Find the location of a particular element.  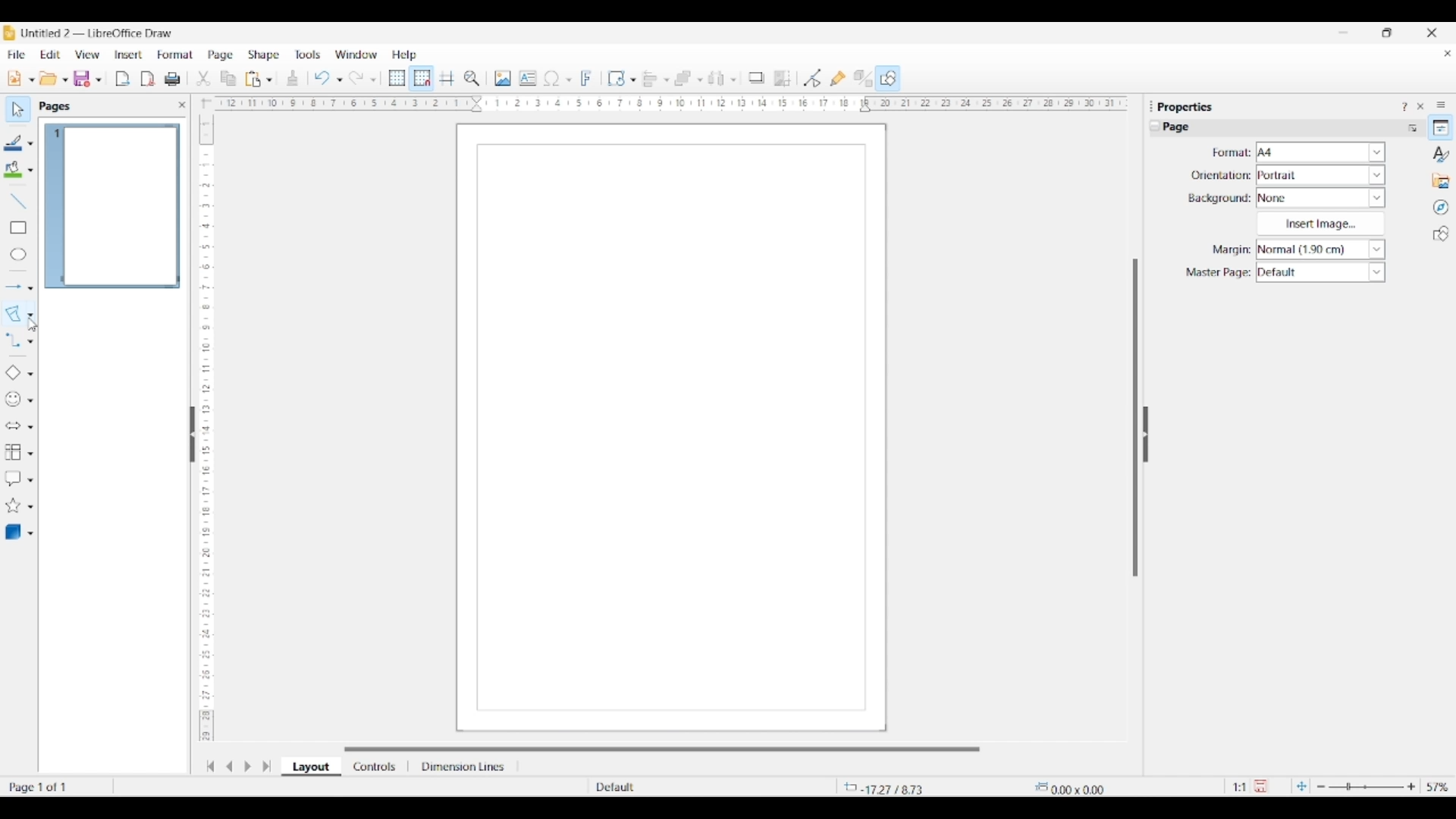

Styles is located at coordinates (1442, 154).